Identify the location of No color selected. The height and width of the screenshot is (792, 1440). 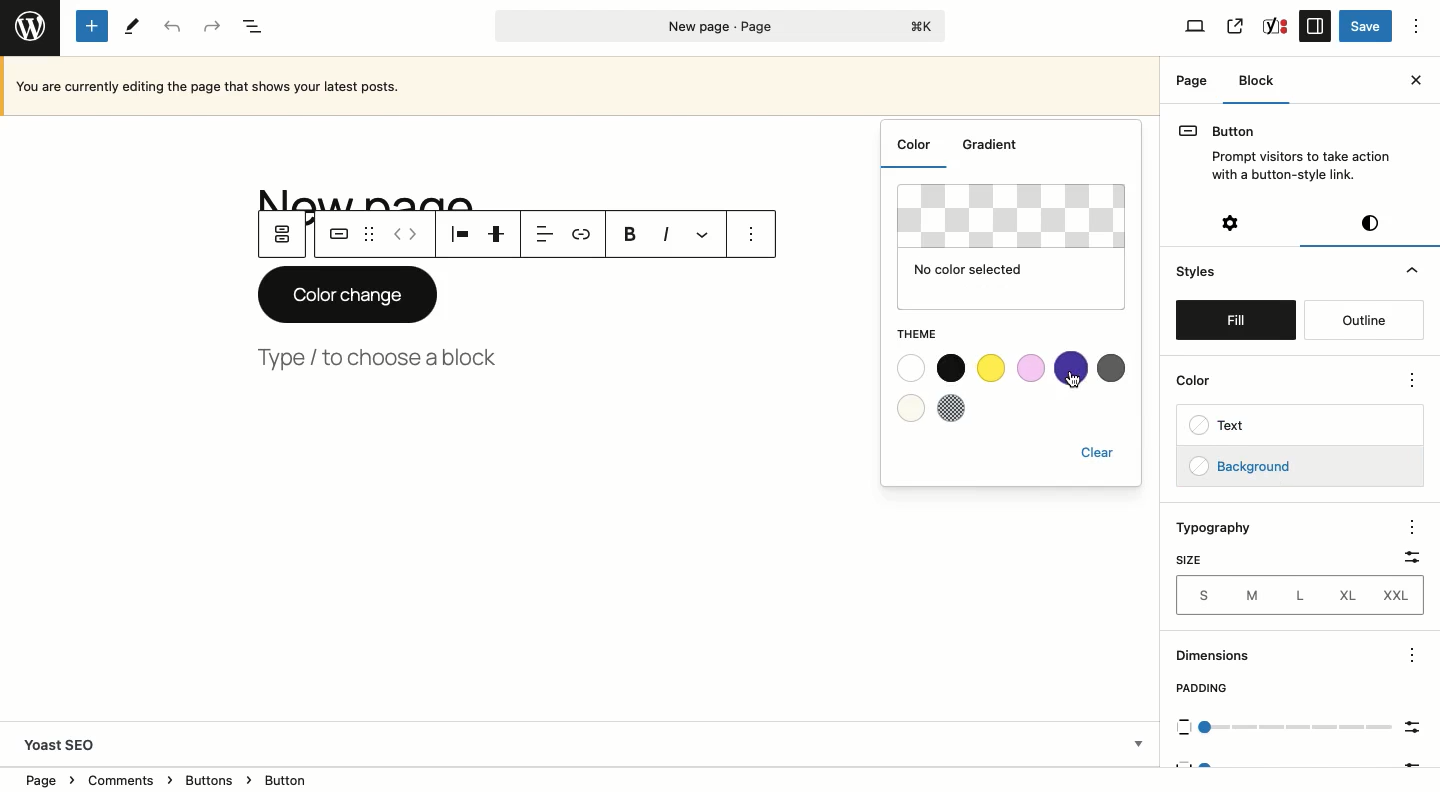
(974, 268).